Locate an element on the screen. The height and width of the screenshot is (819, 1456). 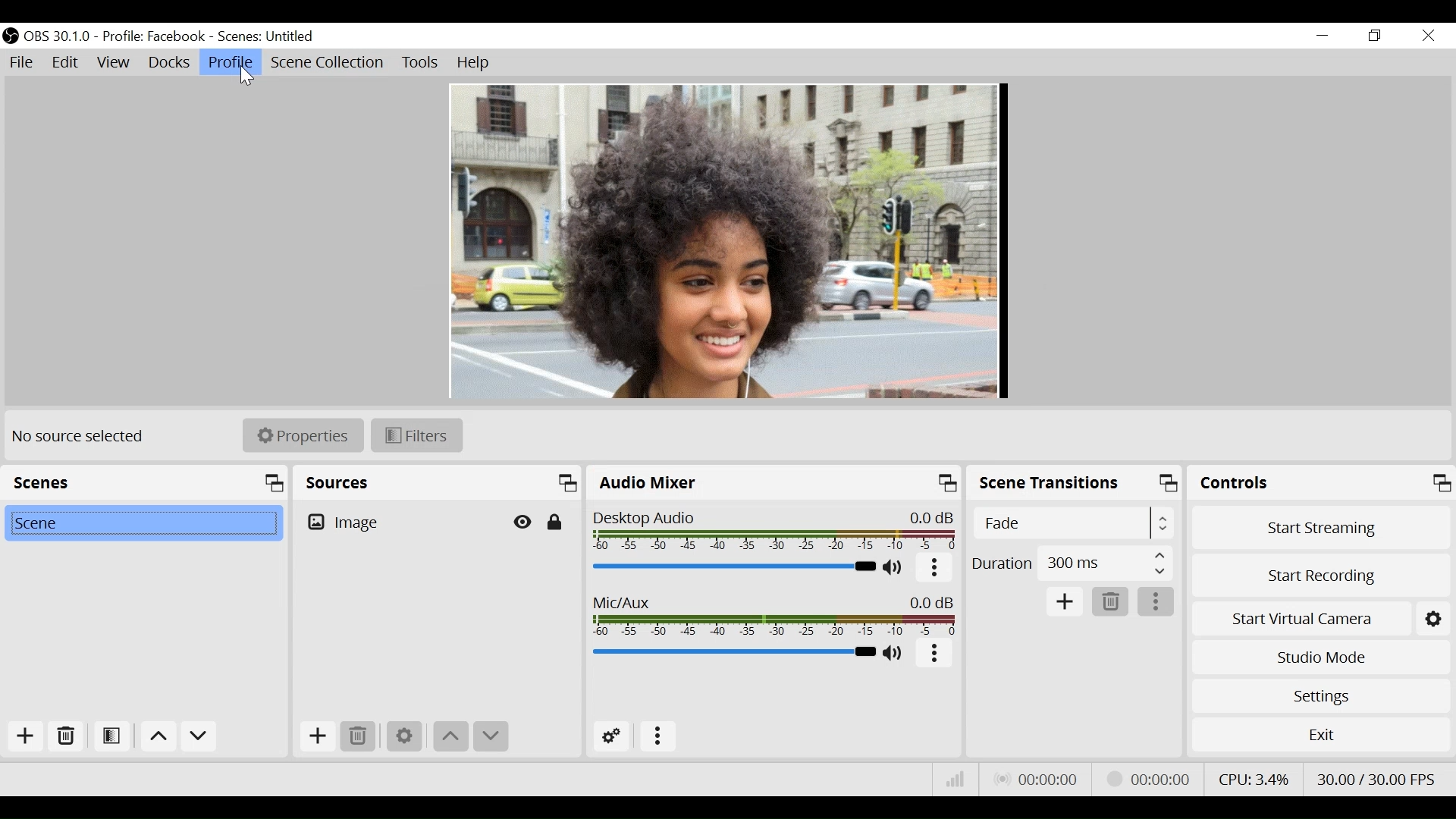
Select Duration is located at coordinates (1072, 562).